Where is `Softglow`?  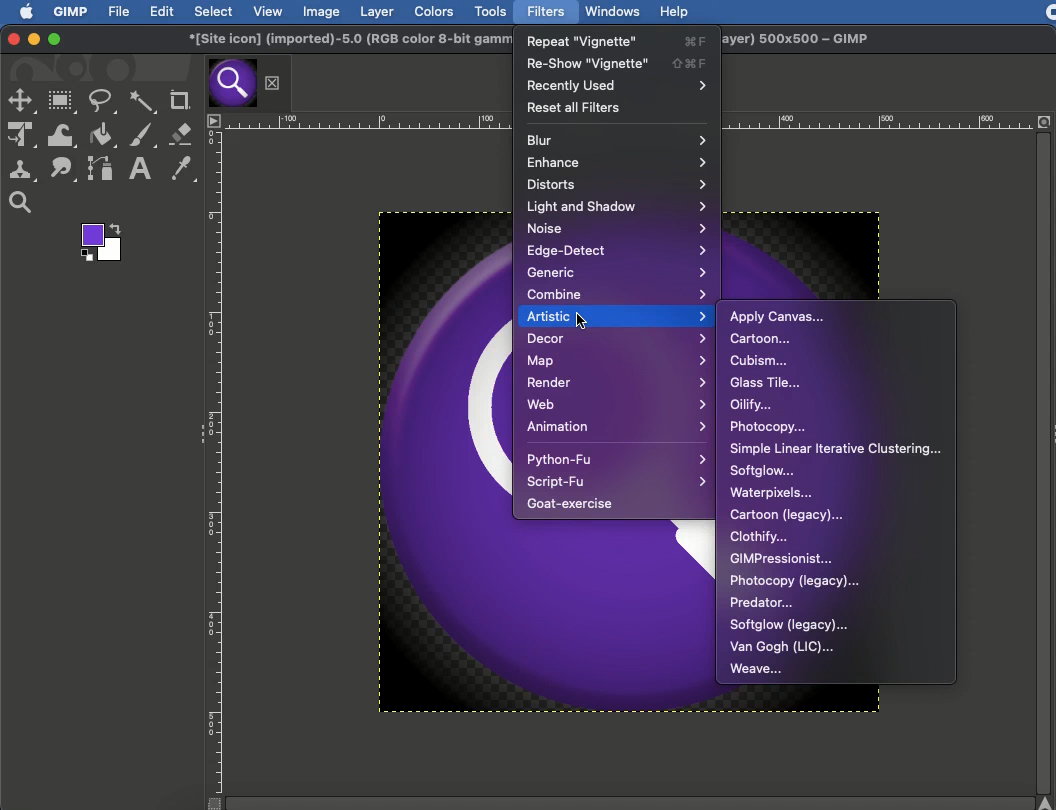 Softglow is located at coordinates (763, 471).